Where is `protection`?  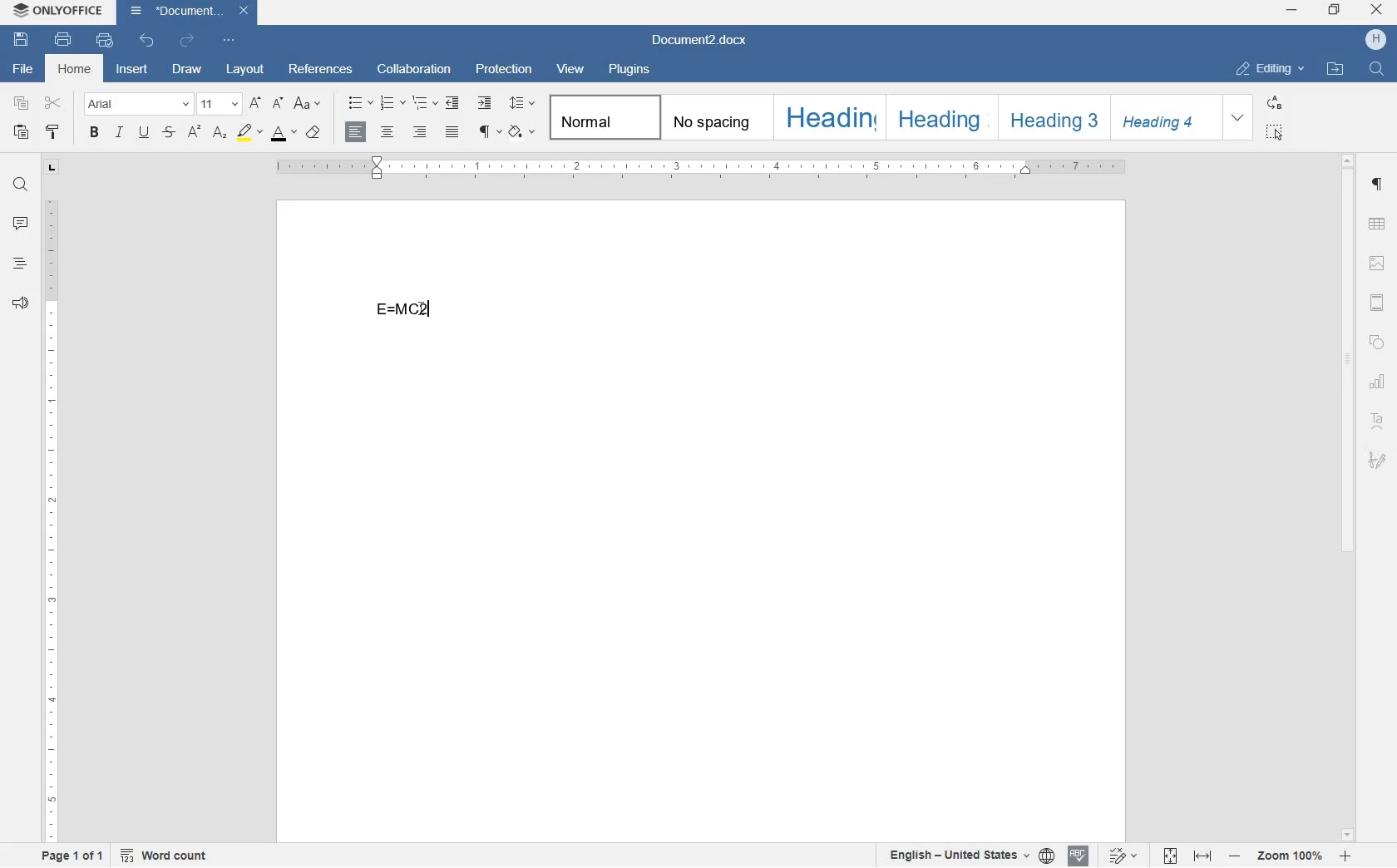
protection is located at coordinates (507, 70).